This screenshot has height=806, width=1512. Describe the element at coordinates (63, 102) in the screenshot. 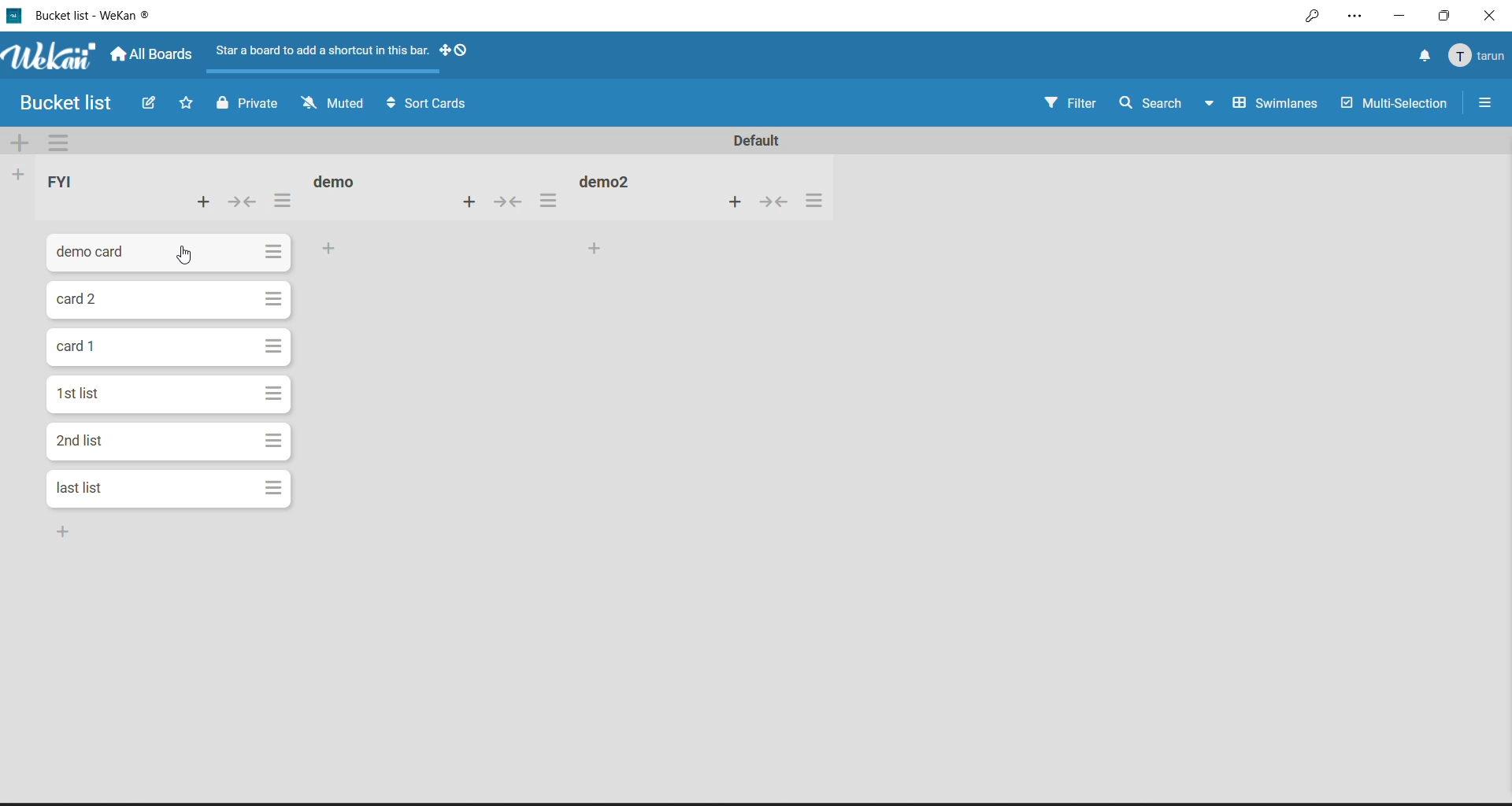

I see `Bucket list` at that location.